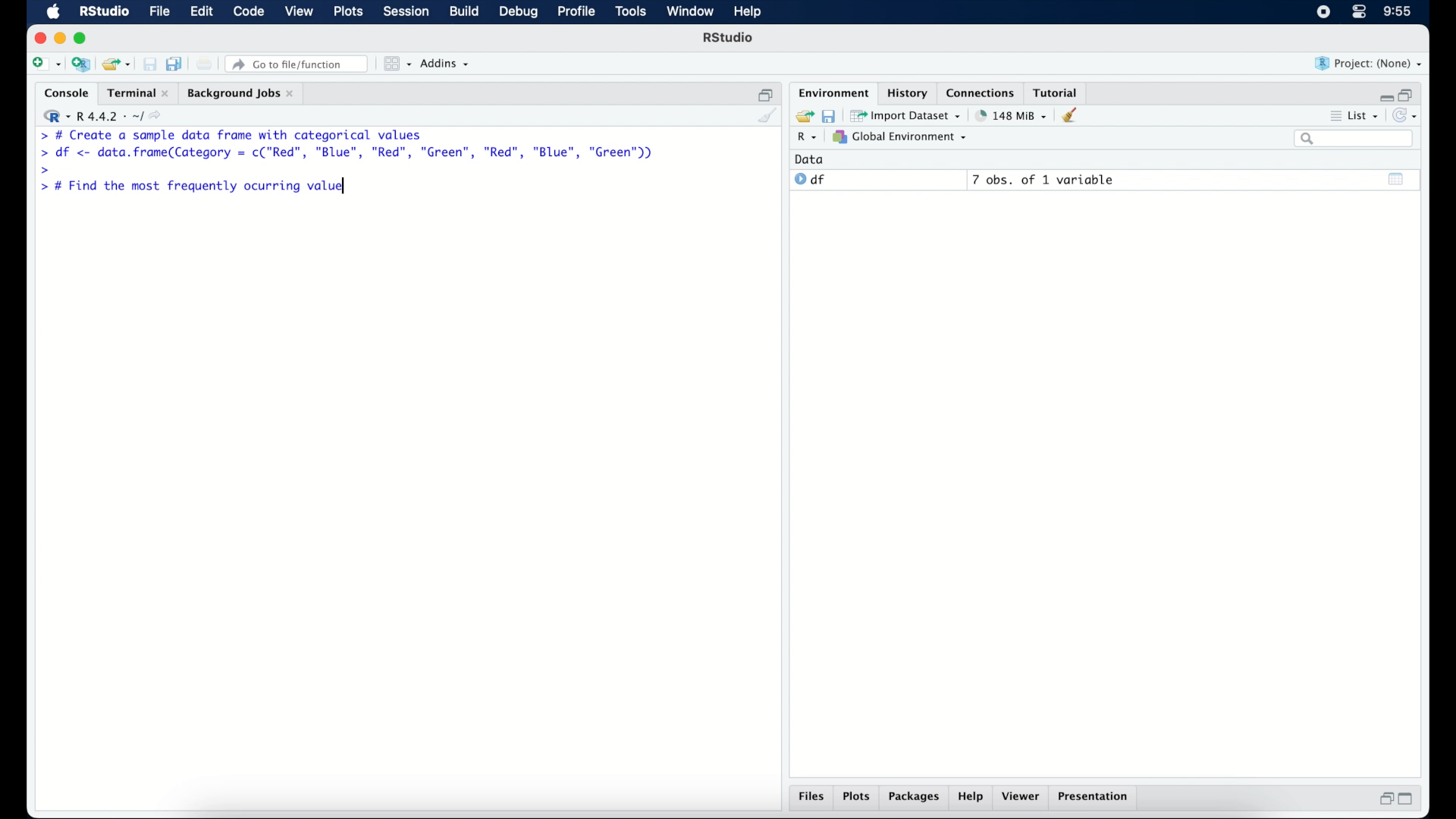 This screenshot has height=819, width=1456. What do you see at coordinates (63, 92) in the screenshot?
I see `console` at bounding box center [63, 92].